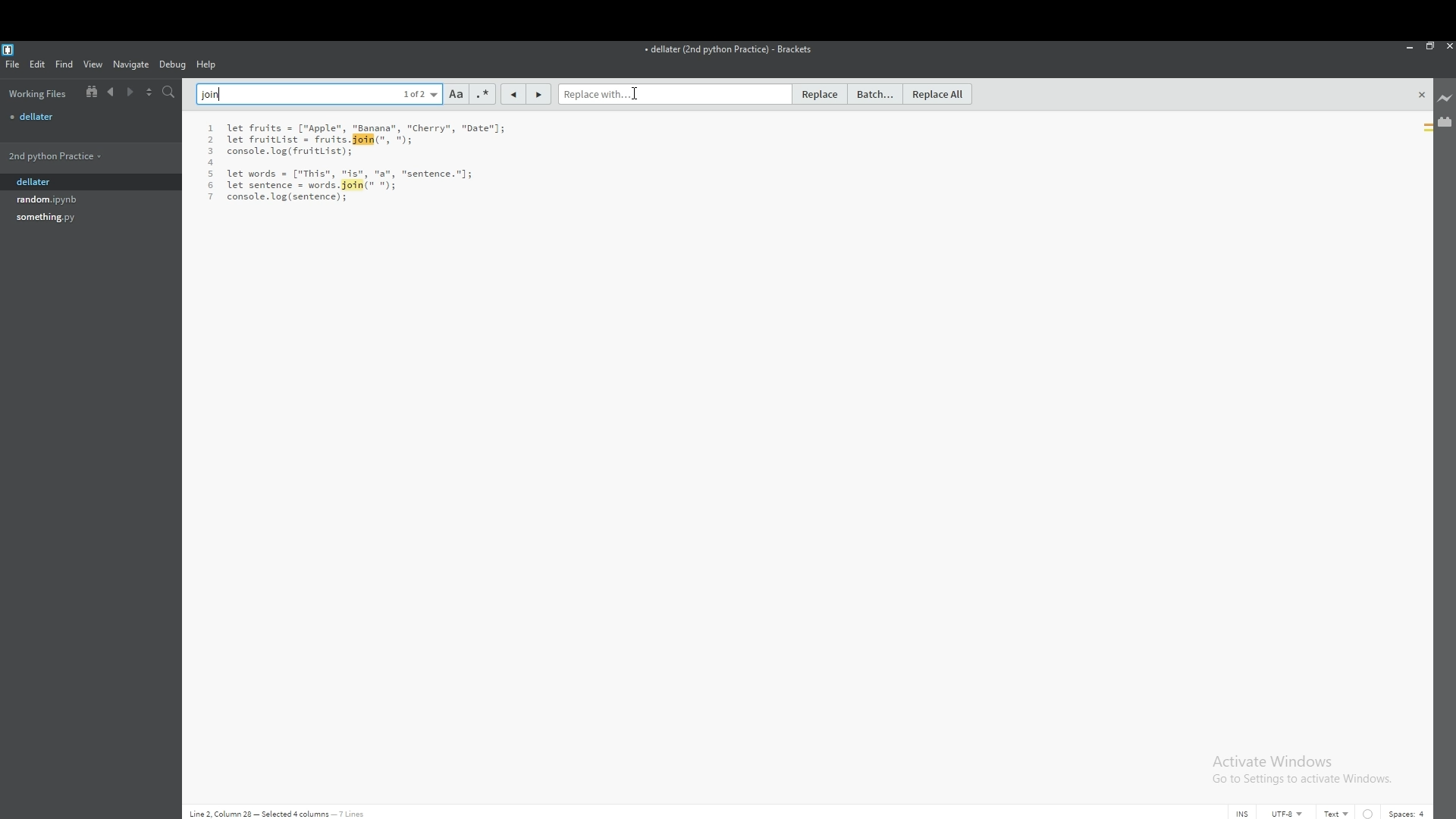 This screenshot has height=819, width=1456. What do you see at coordinates (173, 64) in the screenshot?
I see `debug` at bounding box center [173, 64].